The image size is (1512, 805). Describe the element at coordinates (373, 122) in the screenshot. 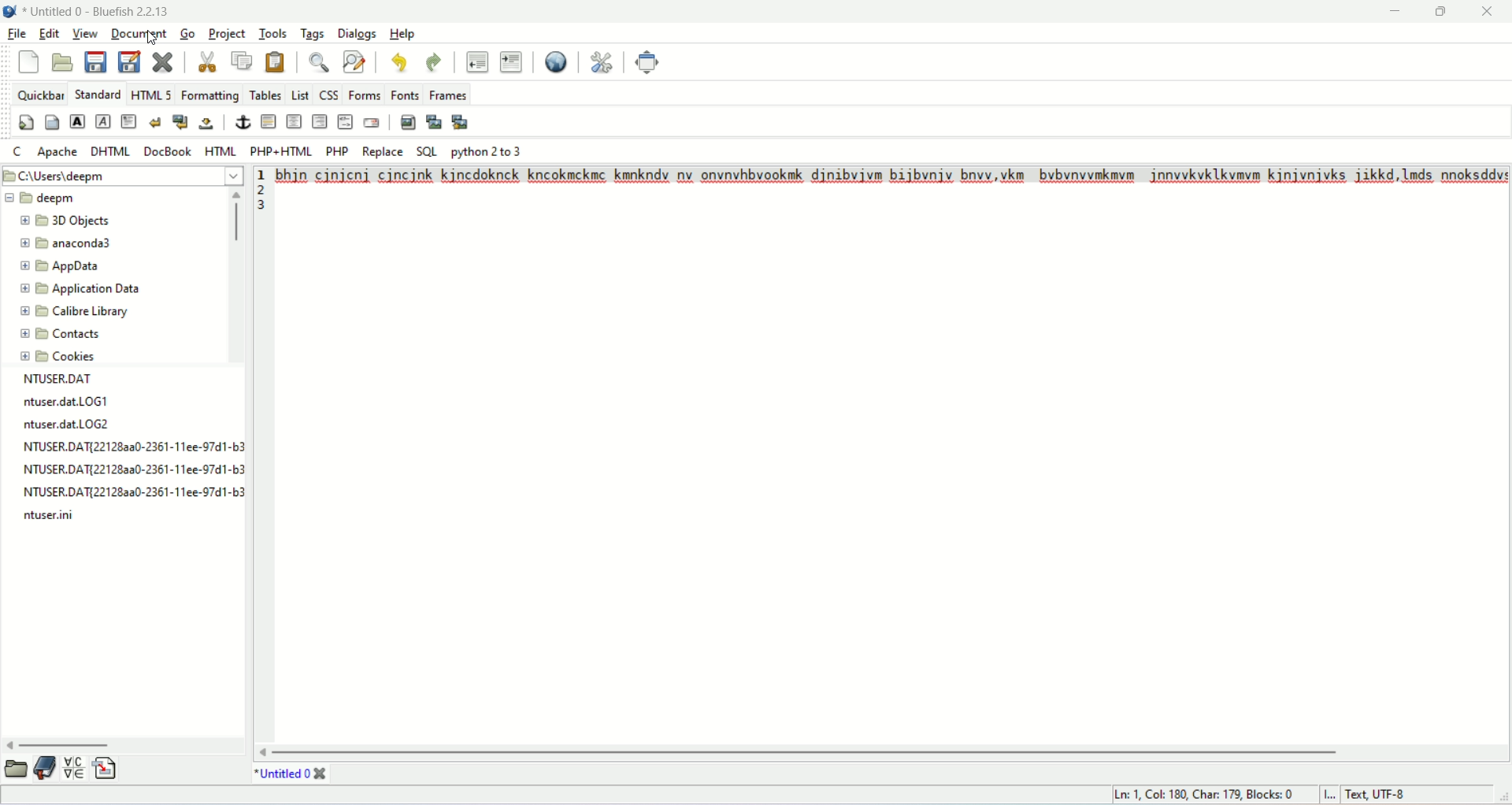

I see `email` at that location.